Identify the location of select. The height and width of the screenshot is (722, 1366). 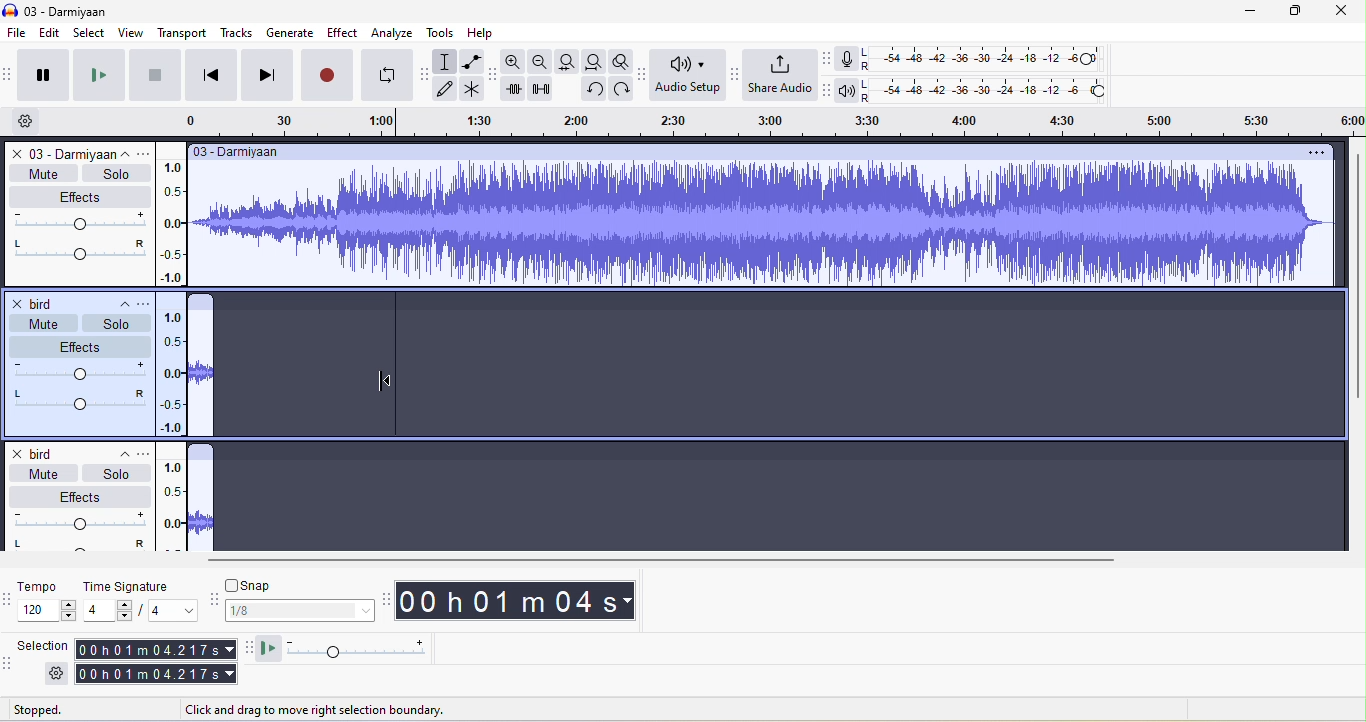
(88, 32).